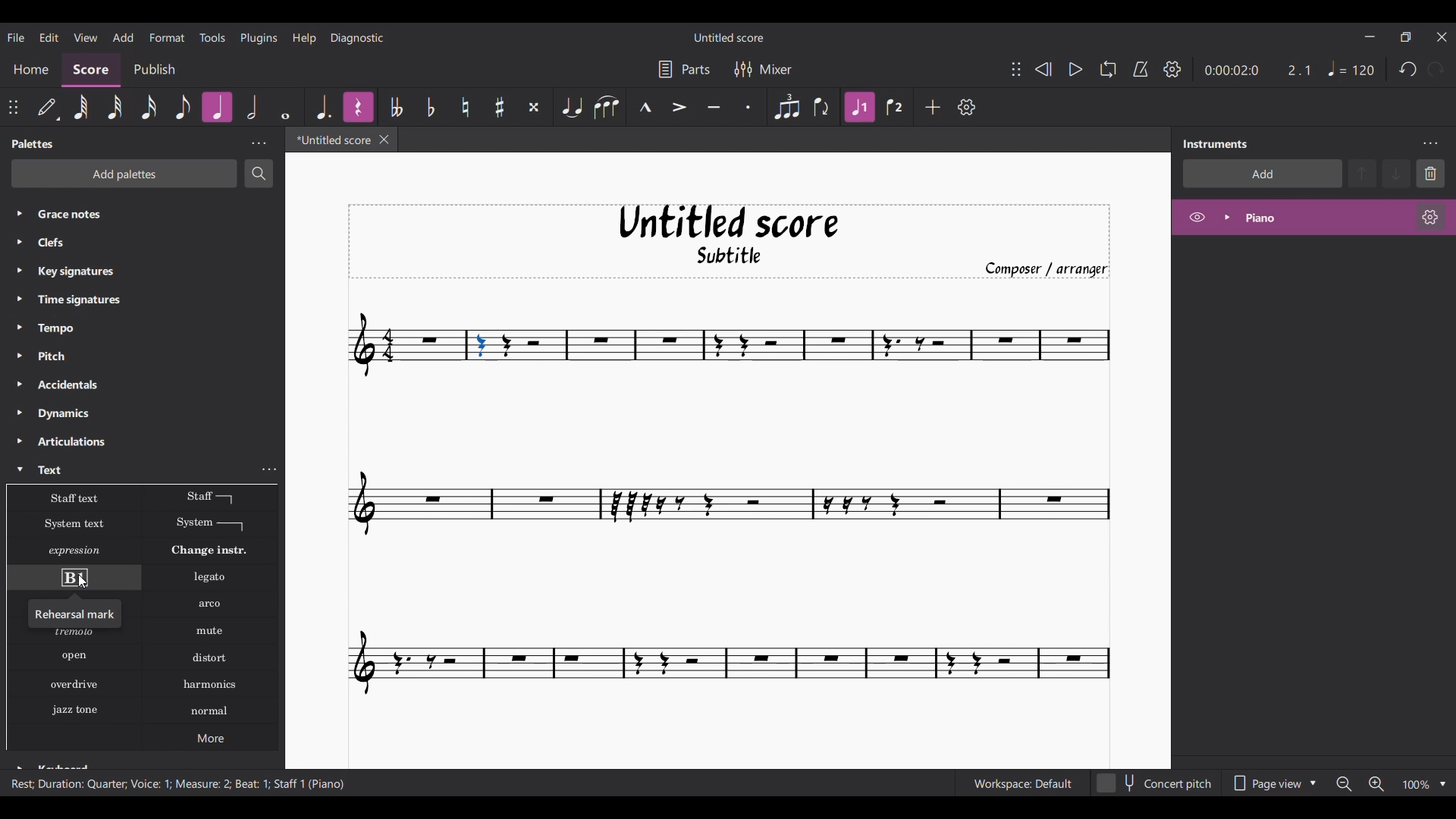 This screenshot has height=819, width=1456. I want to click on Toggle double flat, so click(397, 107).